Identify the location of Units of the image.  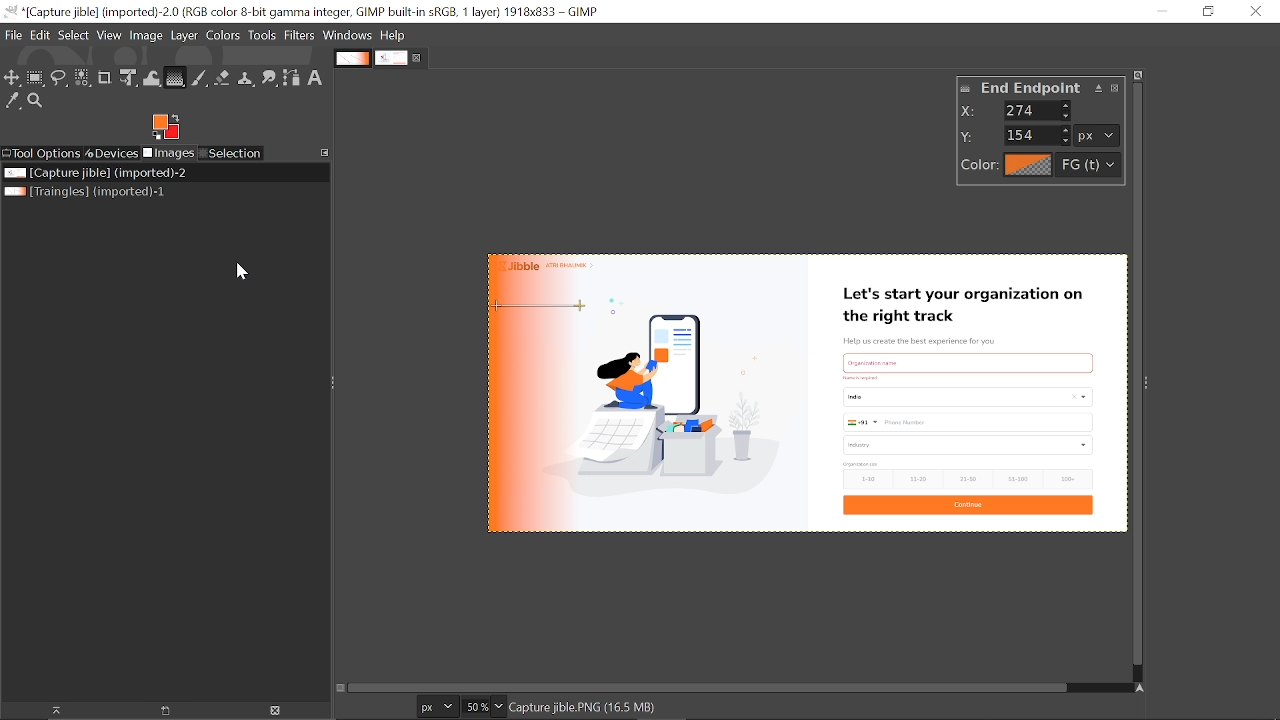
(440, 707).